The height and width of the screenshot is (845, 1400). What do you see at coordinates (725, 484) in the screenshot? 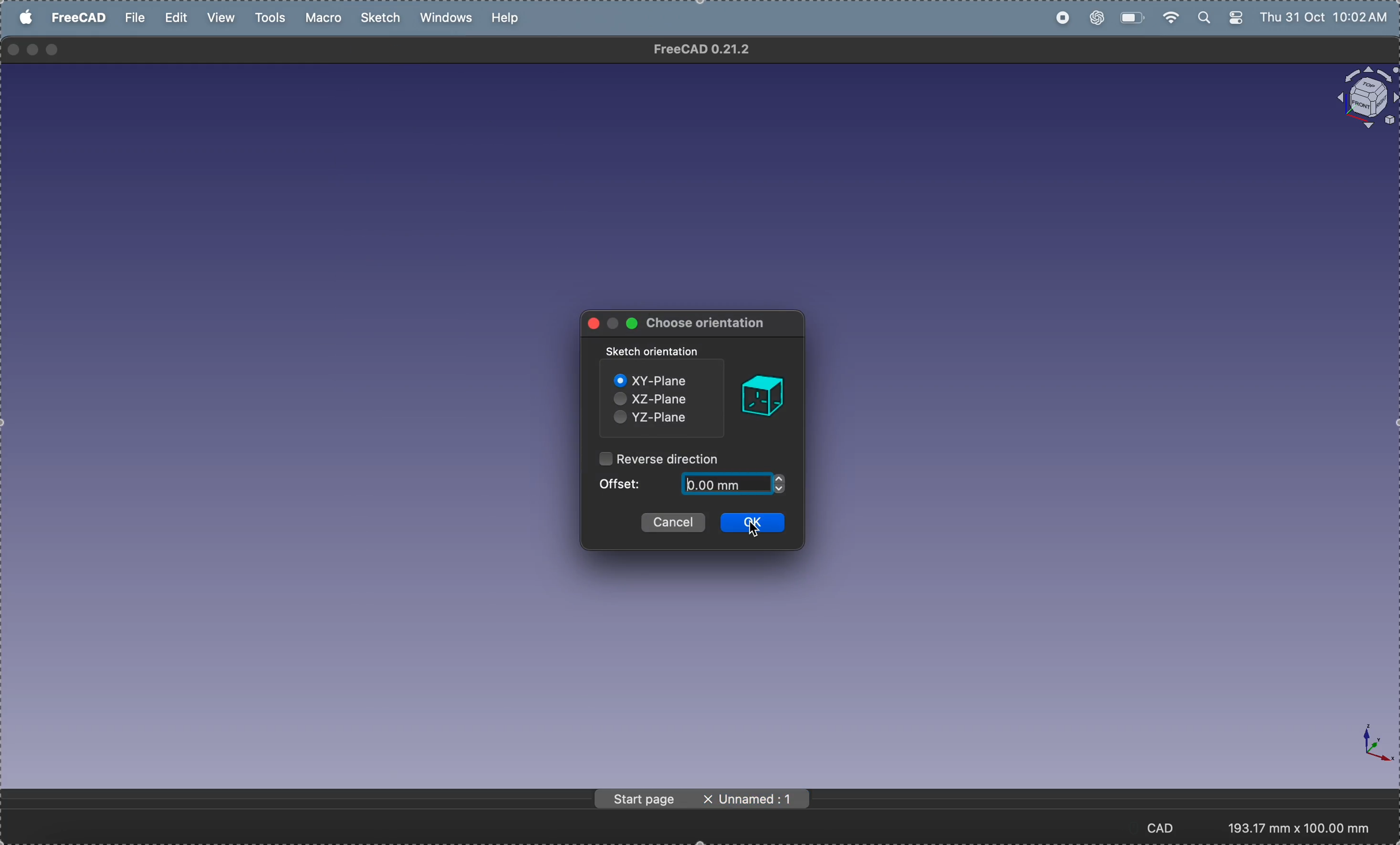
I see `0mm` at bounding box center [725, 484].